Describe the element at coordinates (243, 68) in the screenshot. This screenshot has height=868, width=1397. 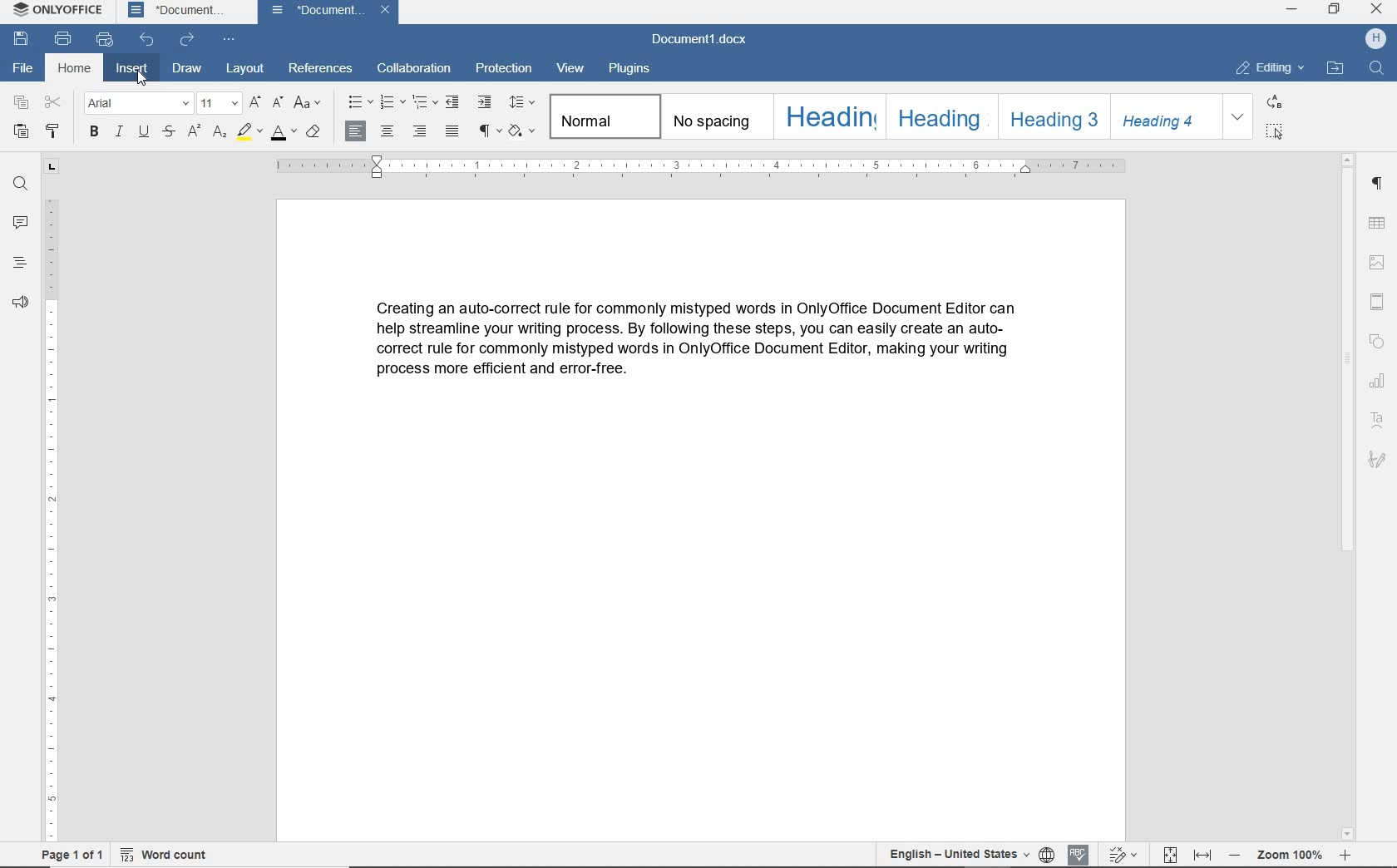
I see `layout` at that location.